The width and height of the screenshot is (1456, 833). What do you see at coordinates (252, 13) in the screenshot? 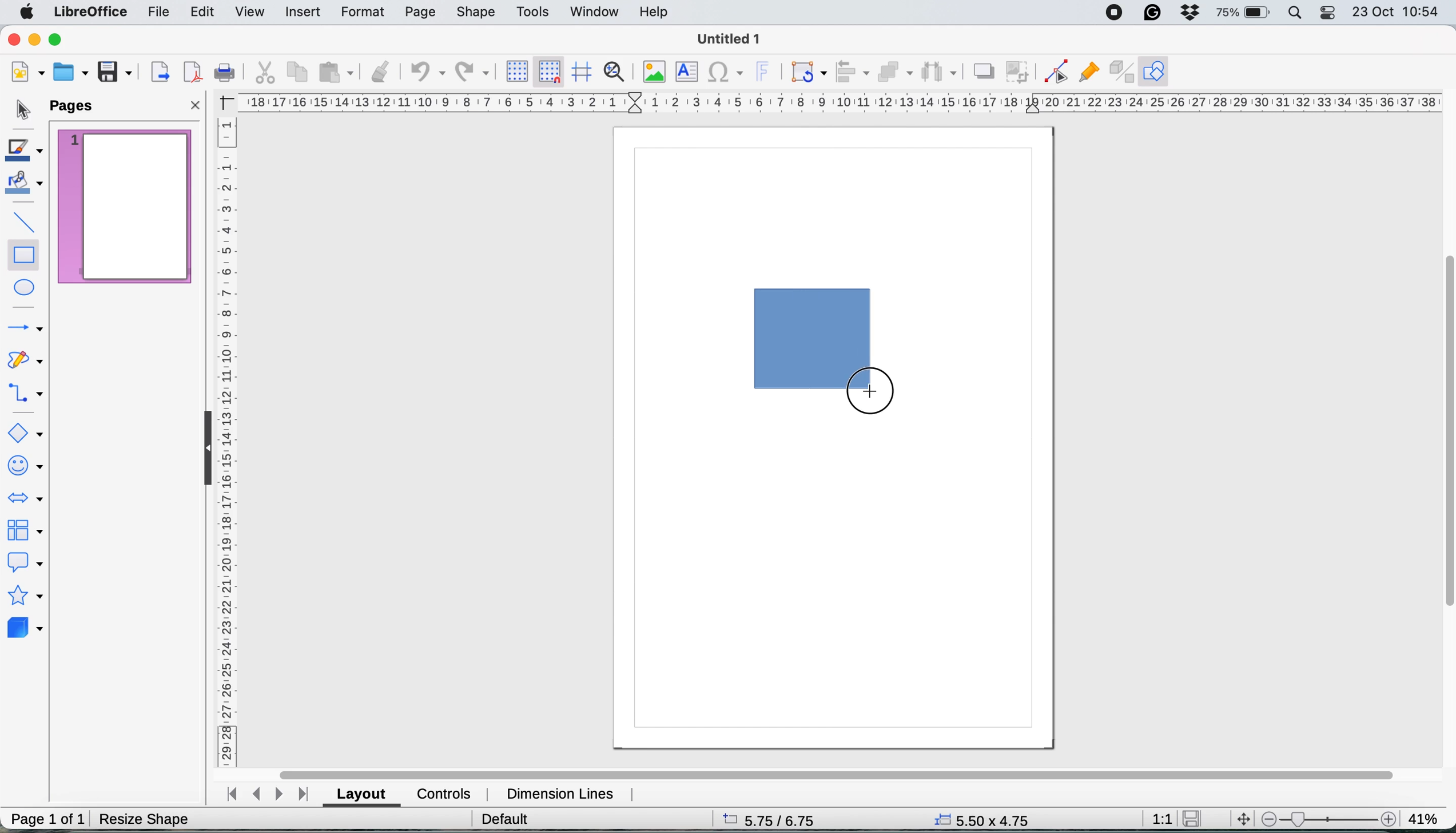
I see `view` at bounding box center [252, 13].